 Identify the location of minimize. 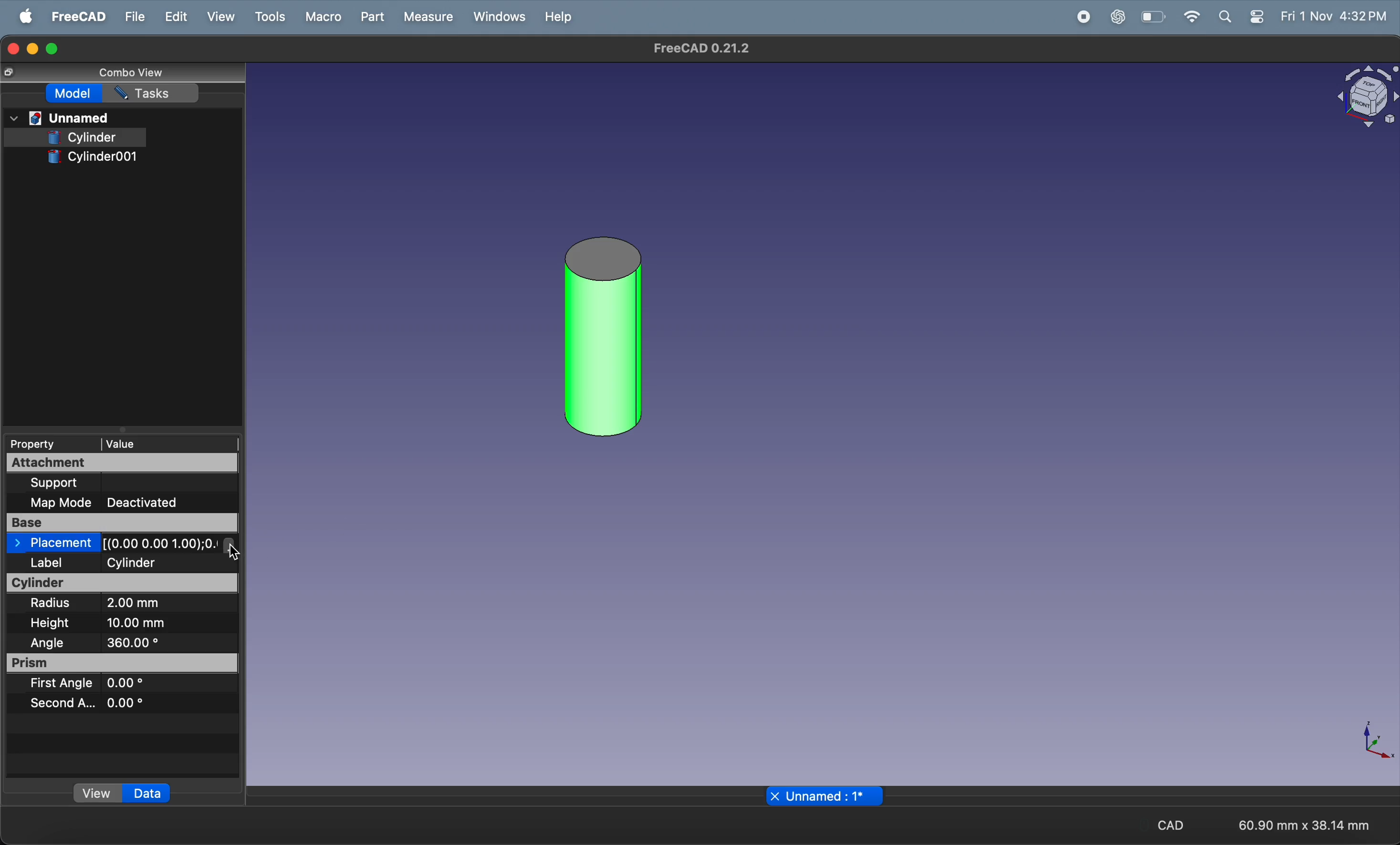
(34, 49).